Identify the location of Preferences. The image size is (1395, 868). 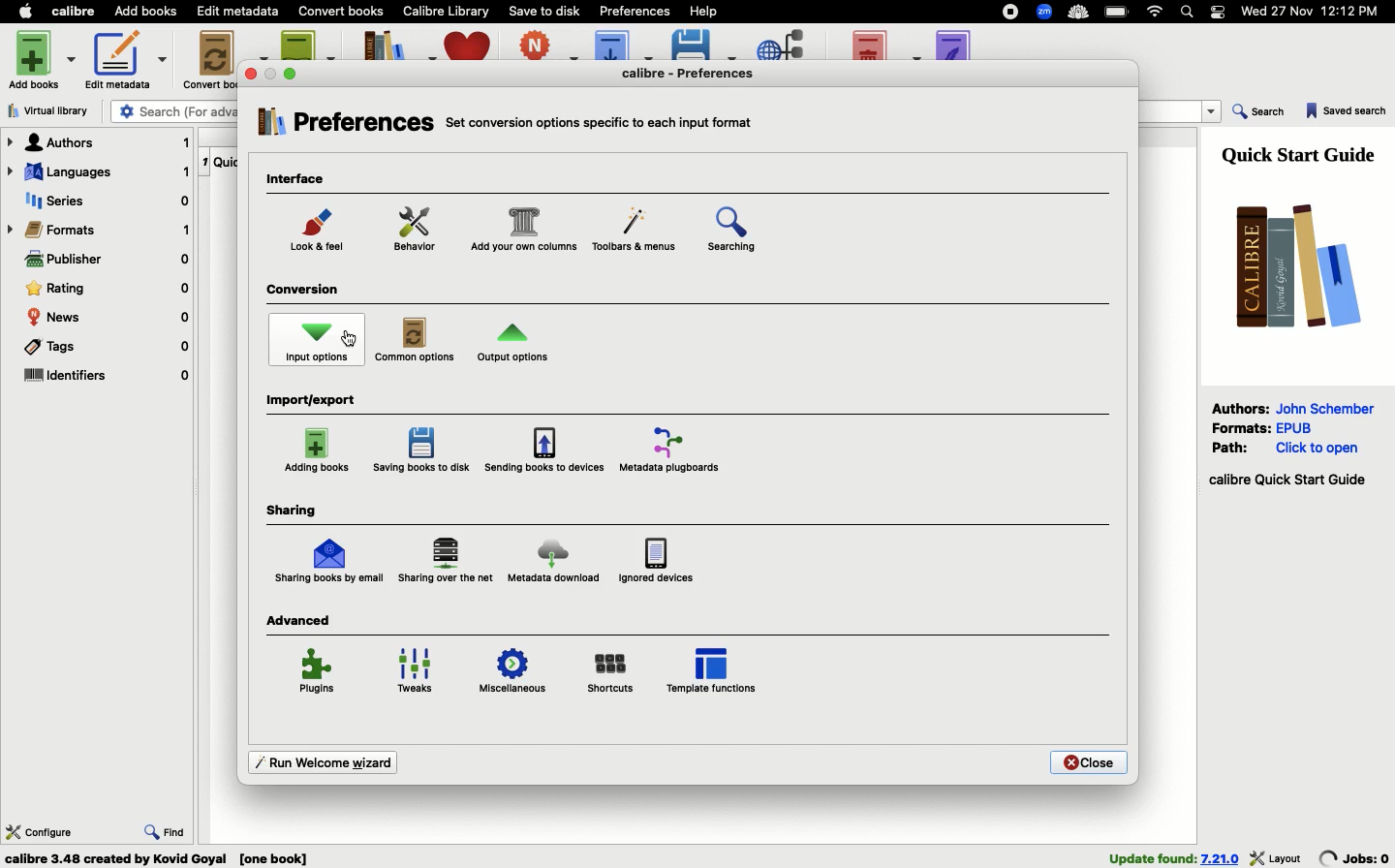
(636, 10).